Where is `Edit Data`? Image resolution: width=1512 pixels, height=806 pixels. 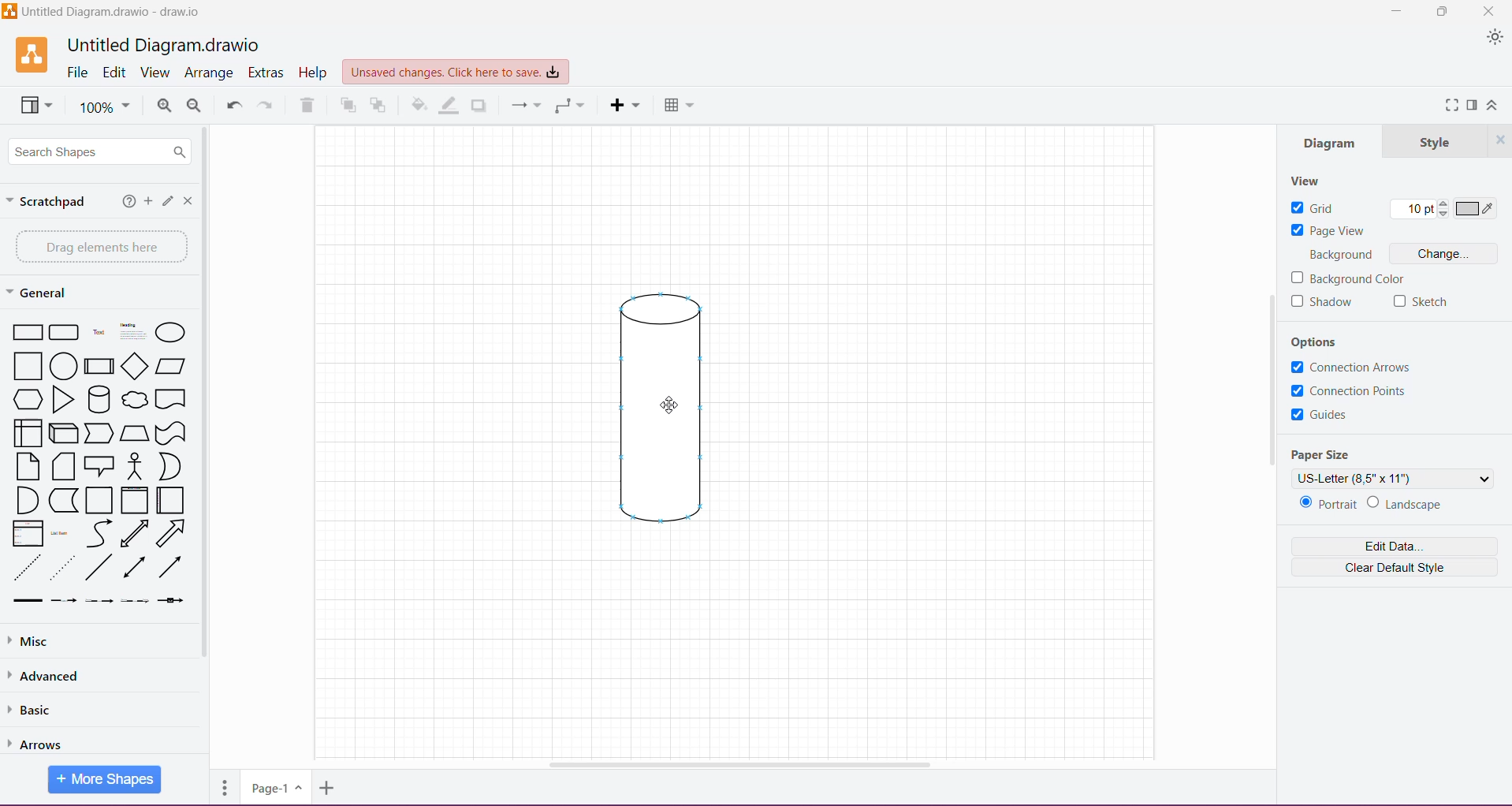
Edit Data is located at coordinates (1393, 547).